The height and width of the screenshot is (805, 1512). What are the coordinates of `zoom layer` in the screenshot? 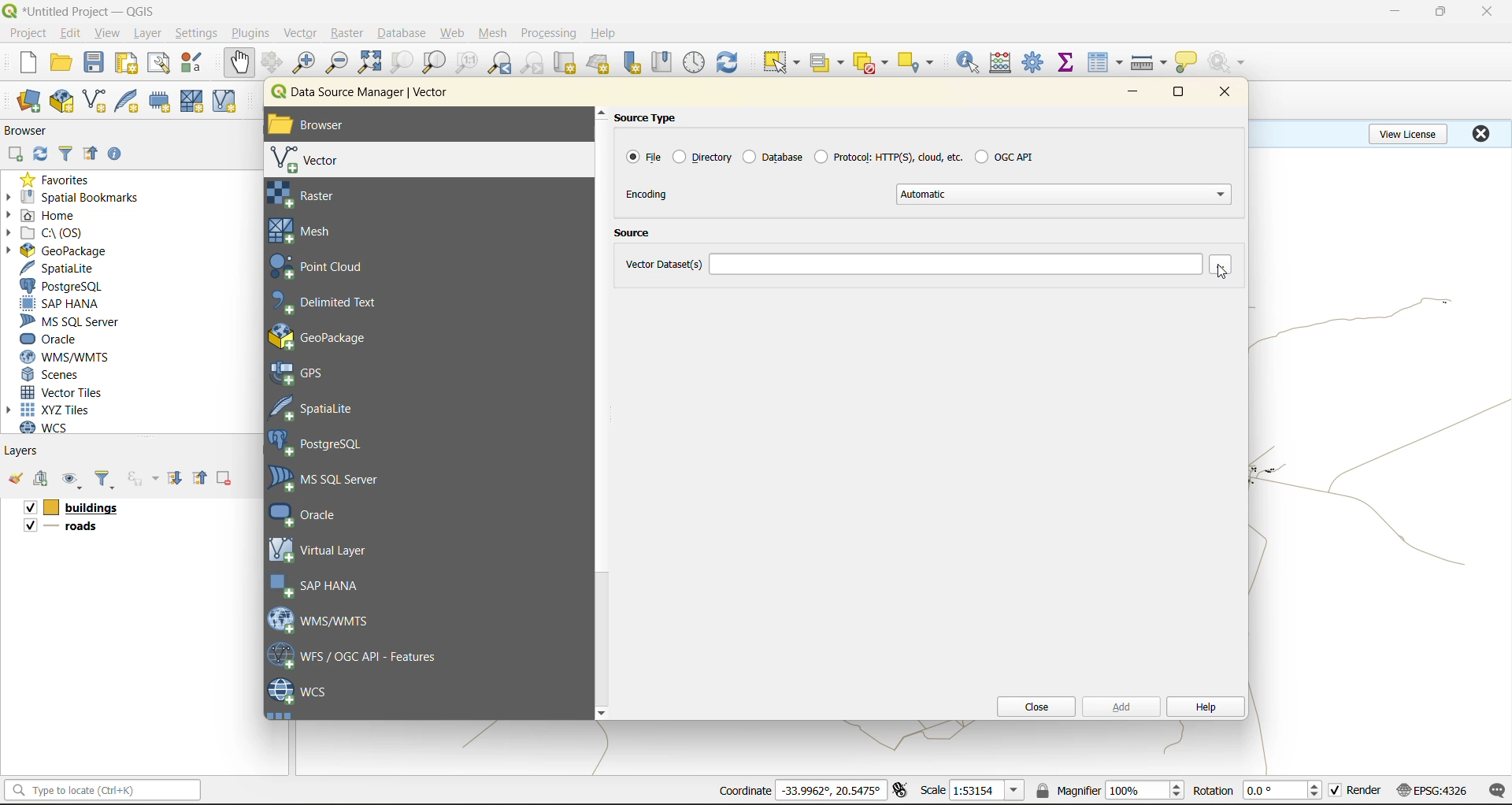 It's located at (435, 65).